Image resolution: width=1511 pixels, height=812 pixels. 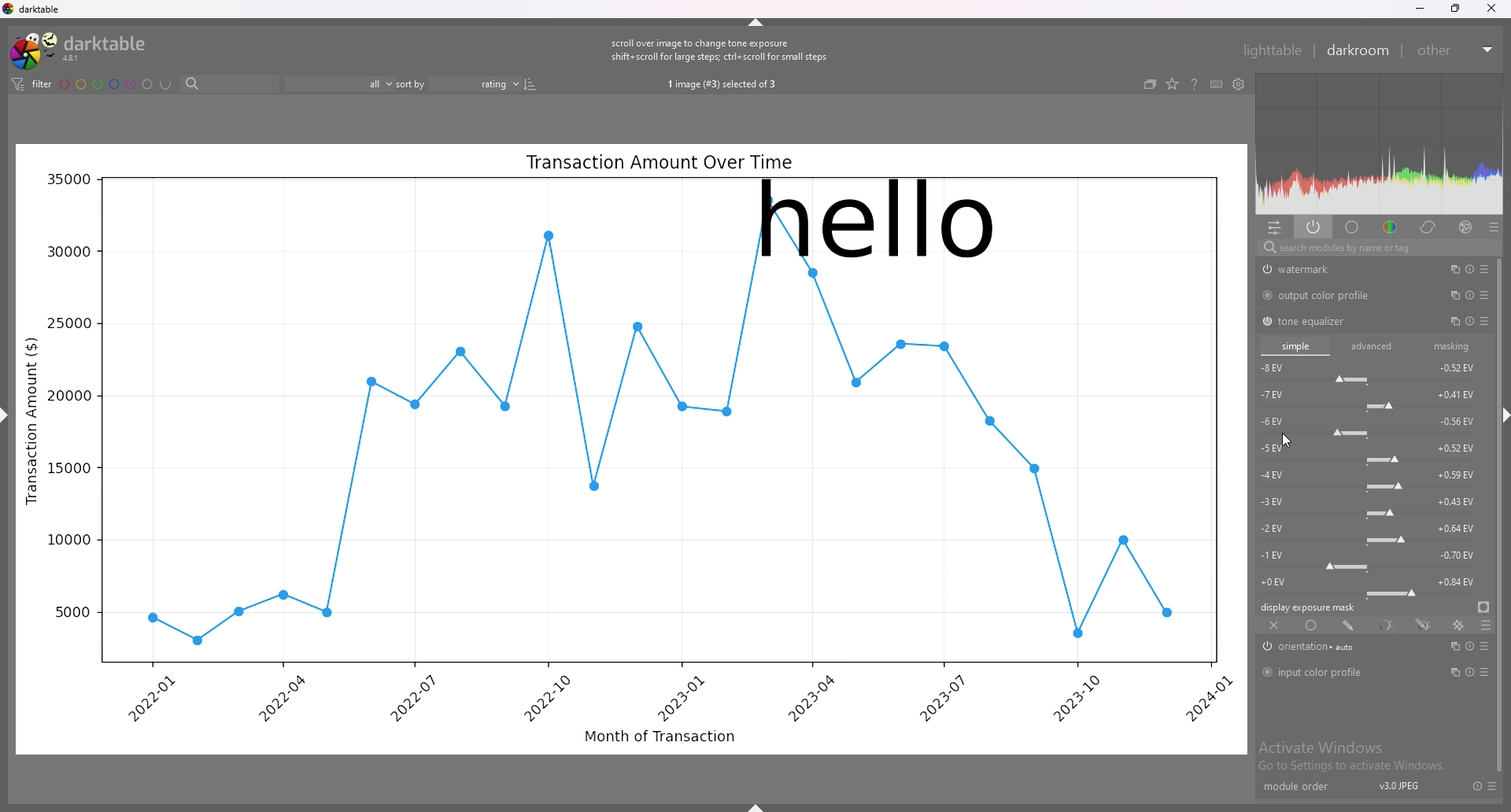 What do you see at coordinates (1456, 625) in the screenshot?
I see `raster mask` at bounding box center [1456, 625].